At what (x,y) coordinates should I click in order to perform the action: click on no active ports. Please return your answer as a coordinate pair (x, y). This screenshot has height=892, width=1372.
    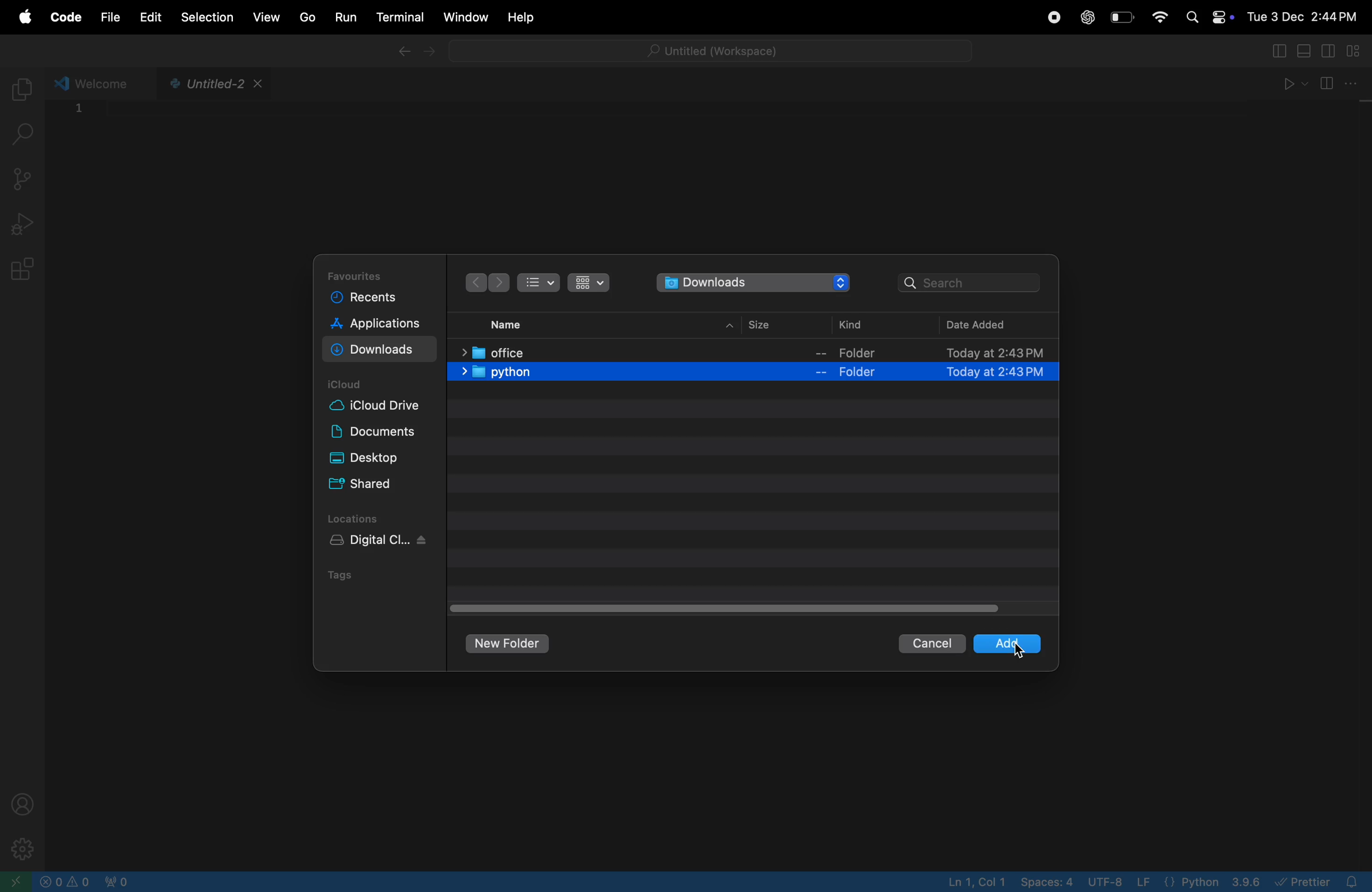
    Looking at the image, I should click on (121, 882).